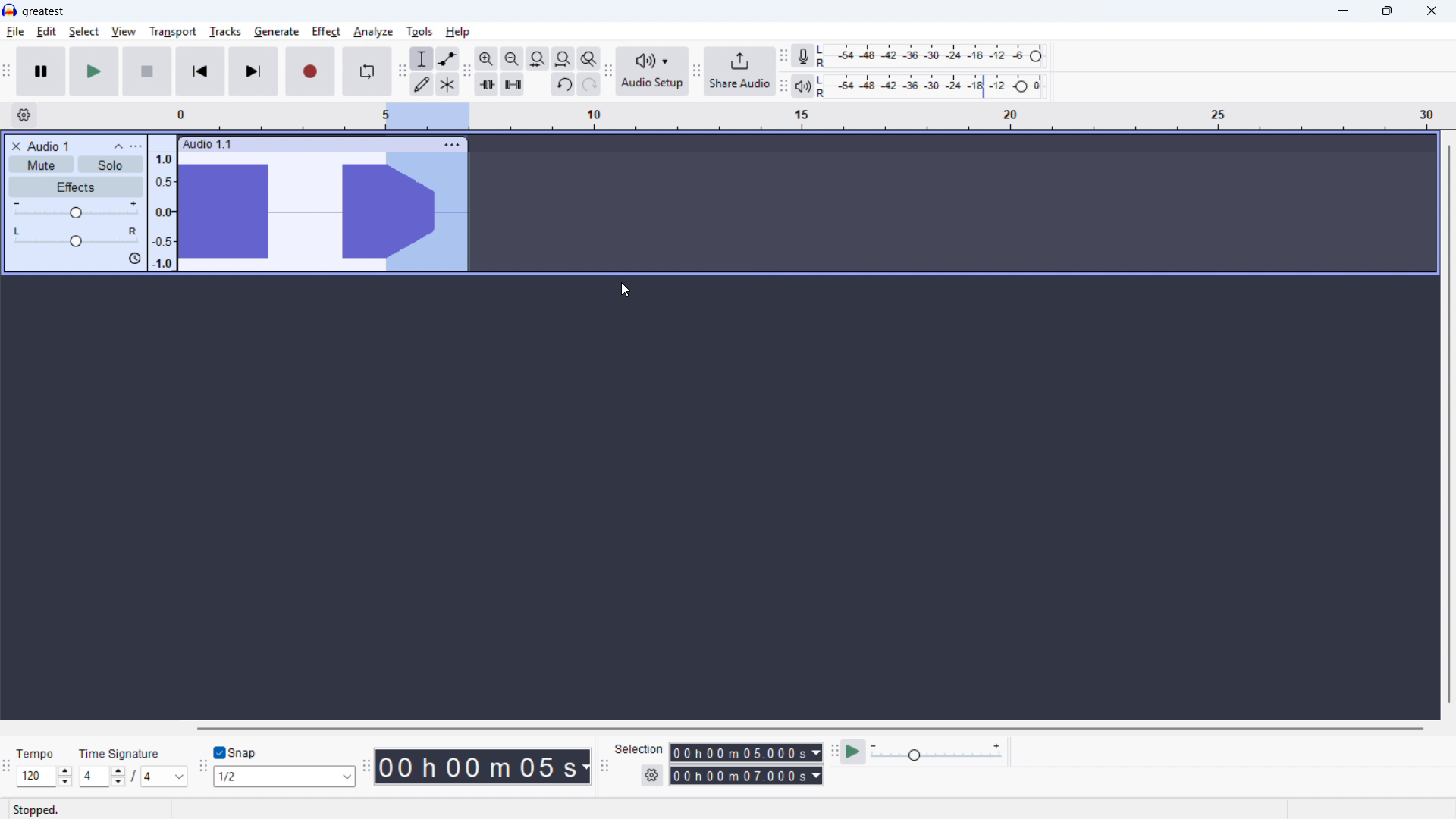 This screenshot has width=1456, height=819. What do you see at coordinates (76, 211) in the screenshot?
I see `Gain ` at bounding box center [76, 211].